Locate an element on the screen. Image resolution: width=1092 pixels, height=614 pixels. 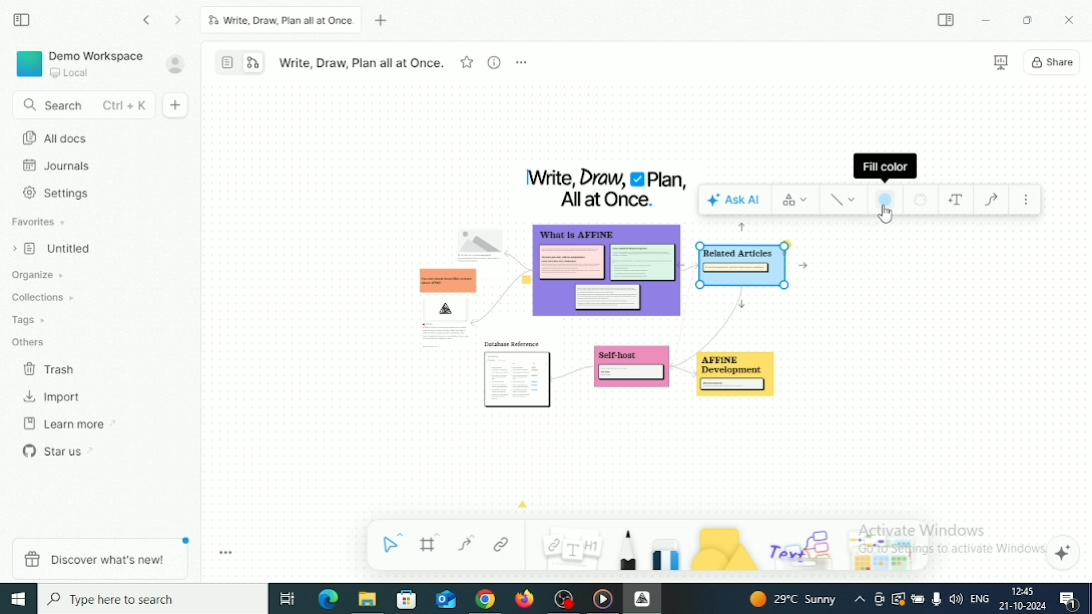
Sticky notes is located at coordinates (442, 302).